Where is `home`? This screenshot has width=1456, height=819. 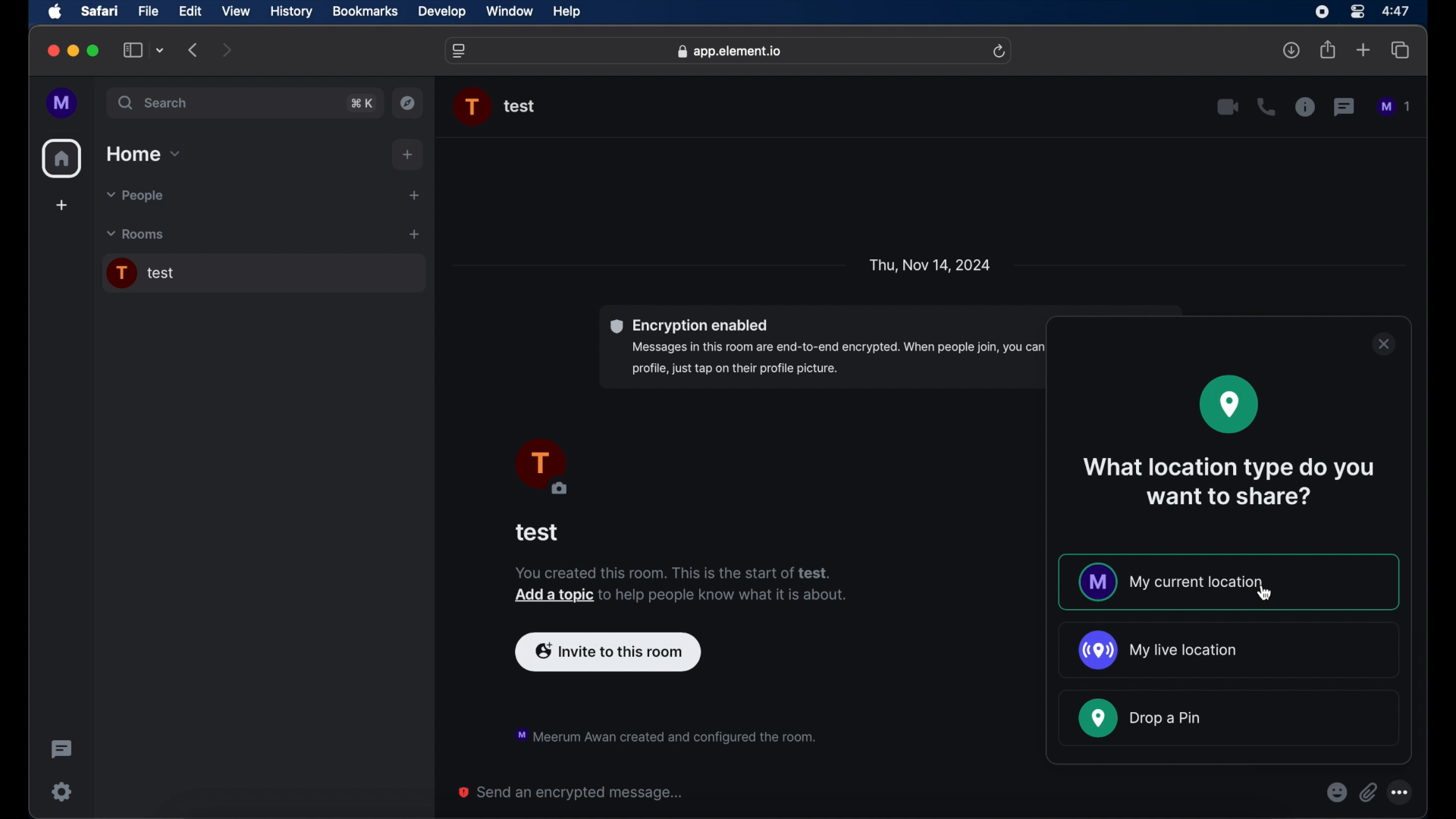 home is located at coordinates (62, 158).